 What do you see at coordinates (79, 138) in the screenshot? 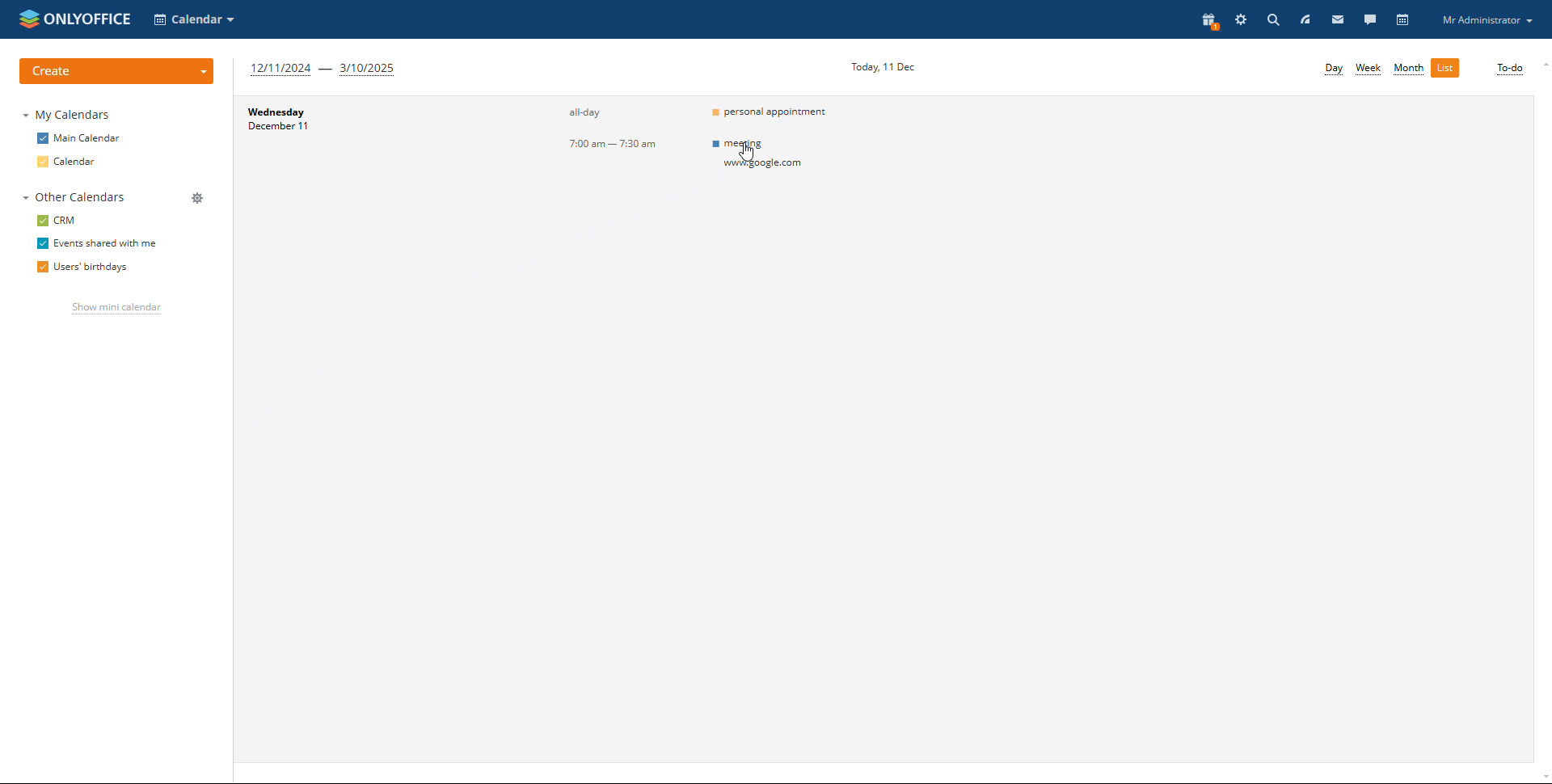
I see `main calendar` at bounding box center [79, 138].